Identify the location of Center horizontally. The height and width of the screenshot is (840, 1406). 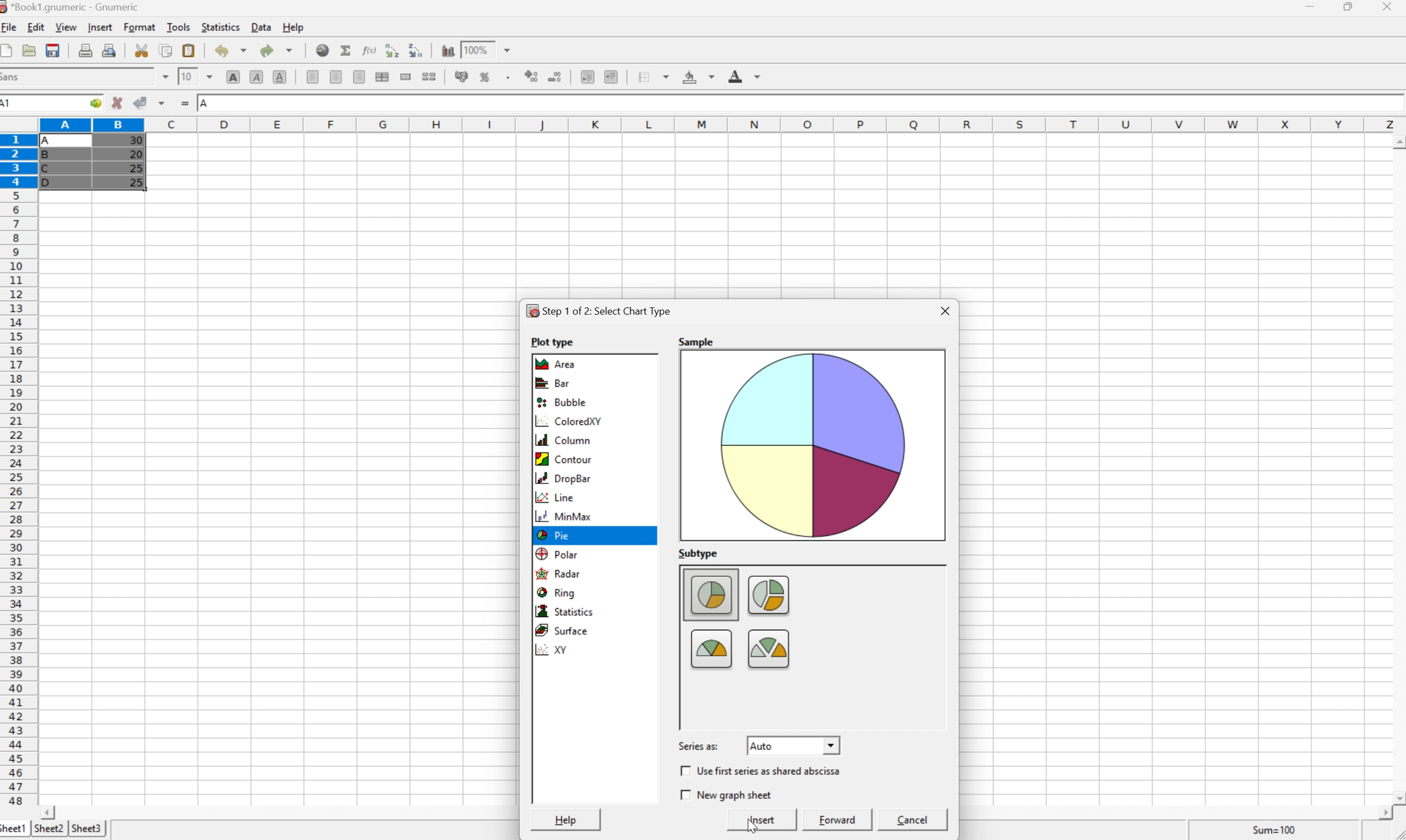
(337, 78).